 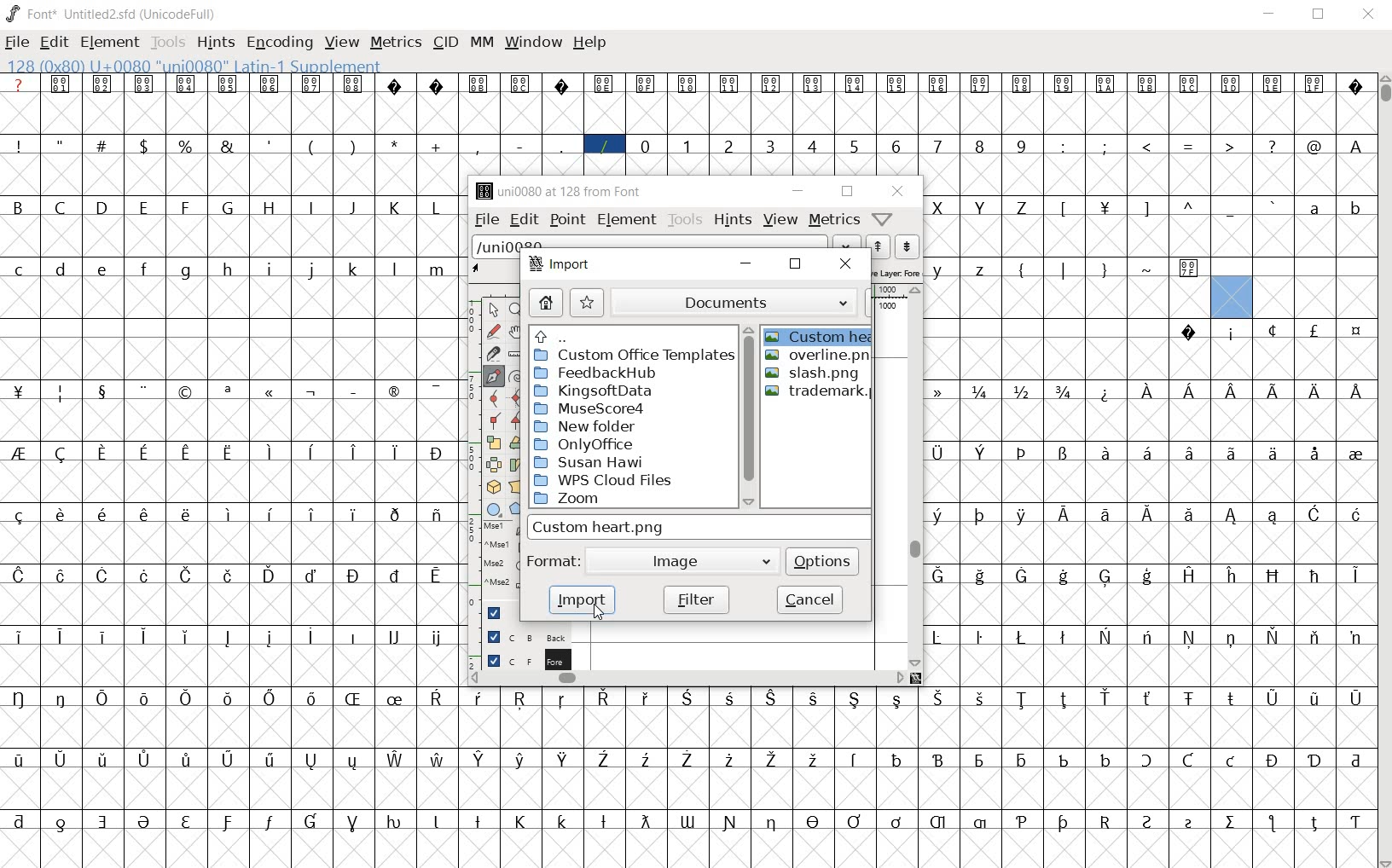 I want to click on glyph, so click(x=438, y=759).